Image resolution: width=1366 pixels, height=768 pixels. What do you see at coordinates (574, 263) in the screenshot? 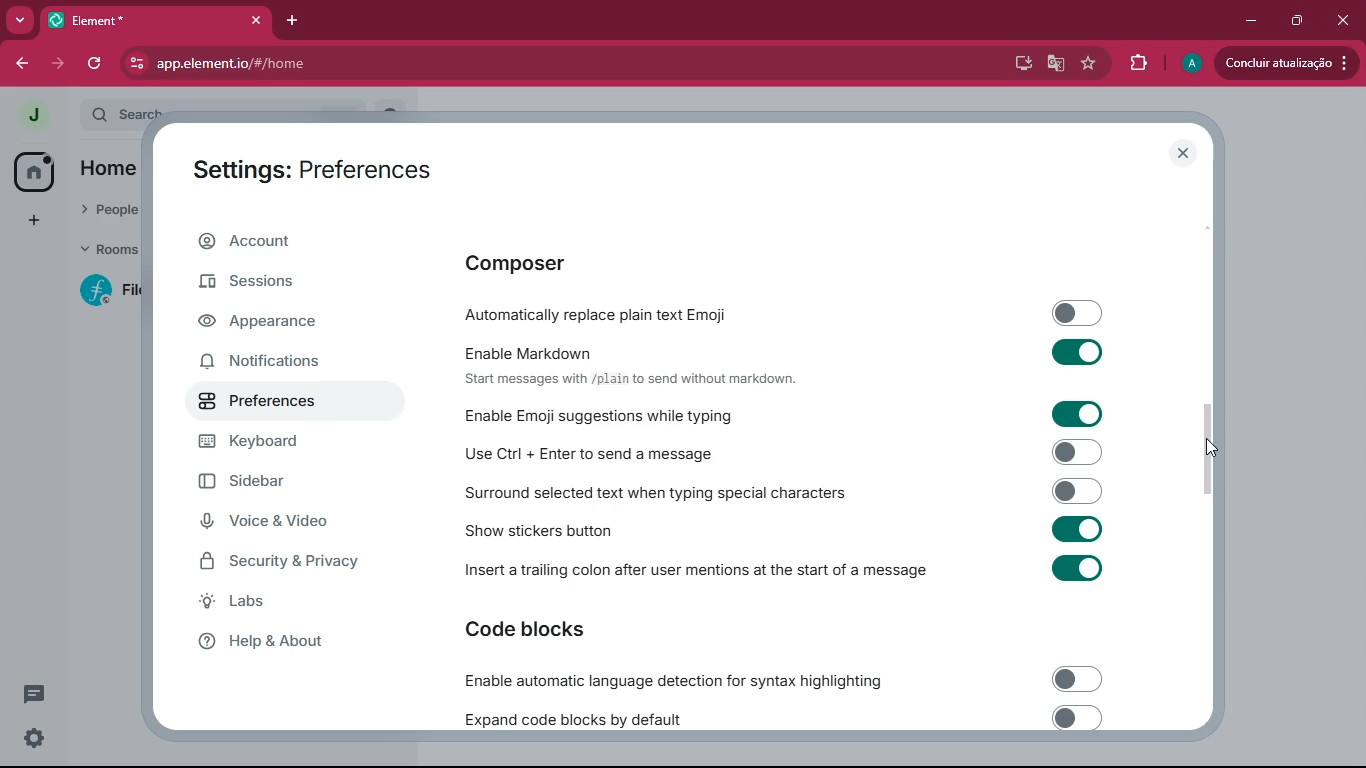
I see `composer` at bounding box center [574, 263].